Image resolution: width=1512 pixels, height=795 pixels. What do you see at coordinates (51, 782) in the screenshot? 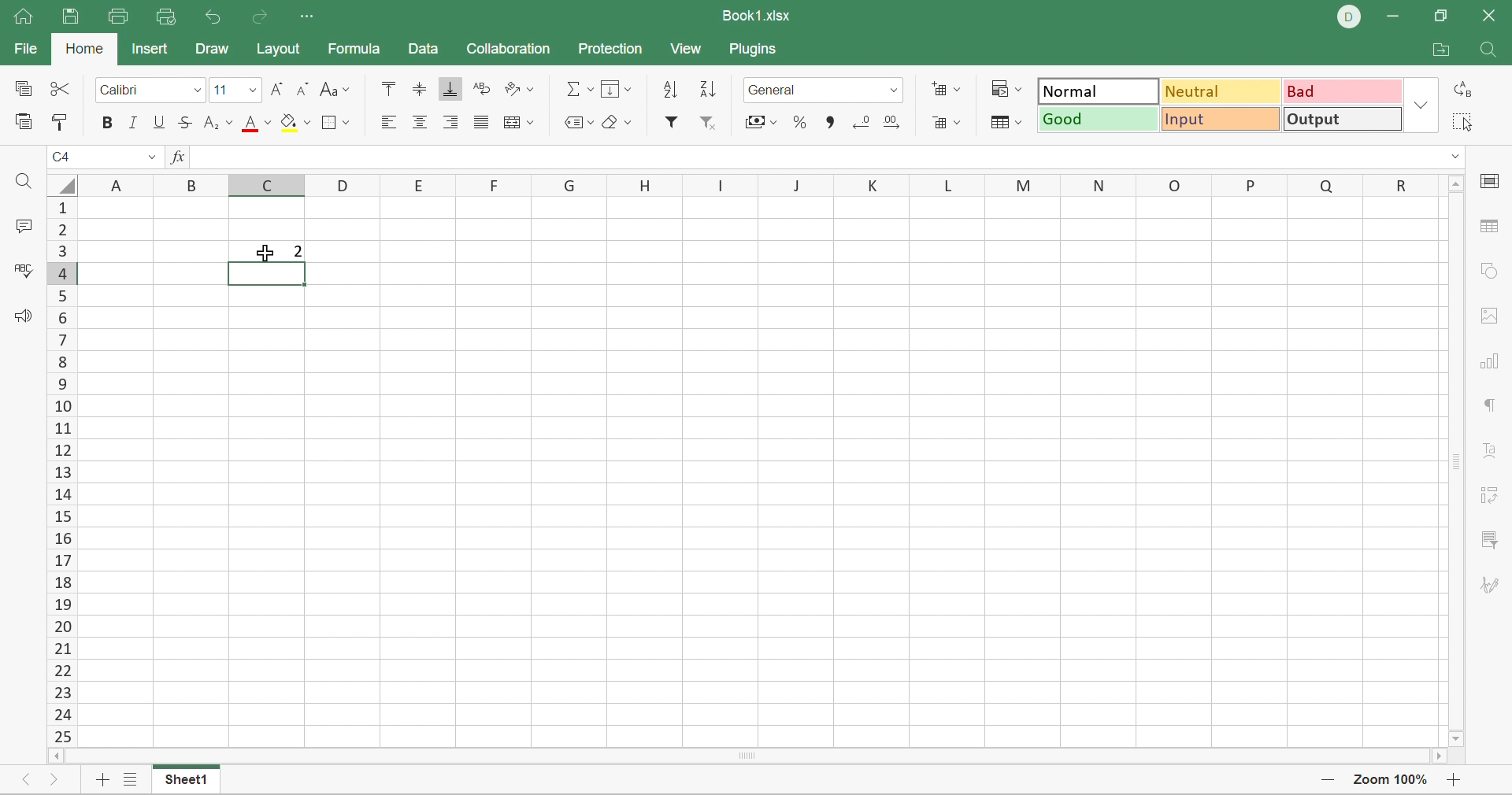
I see `Next` at bounding box center [51, 782].